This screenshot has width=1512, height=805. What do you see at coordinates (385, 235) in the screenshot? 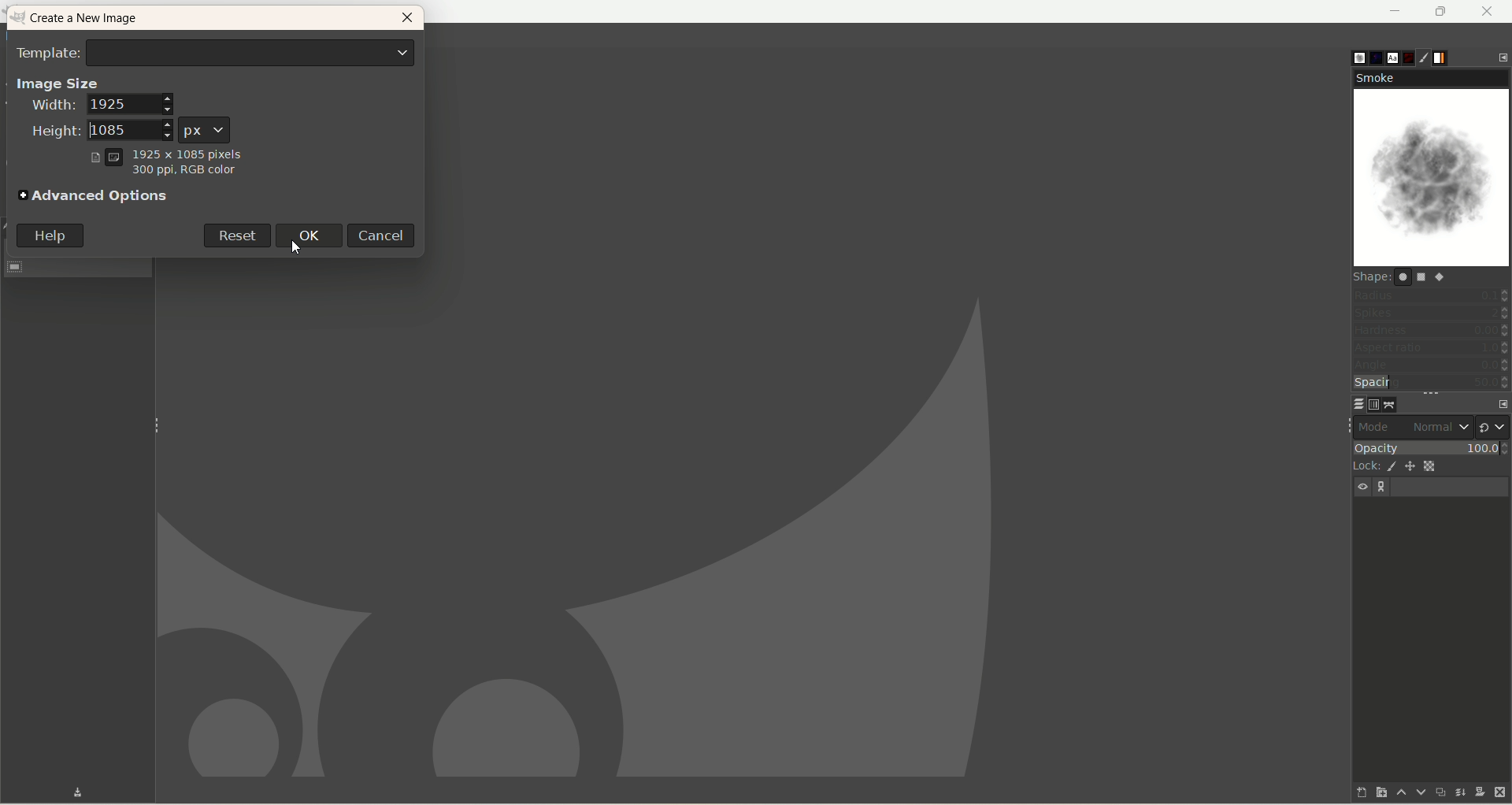
I see `cancel` at bounding box center [385, 235].